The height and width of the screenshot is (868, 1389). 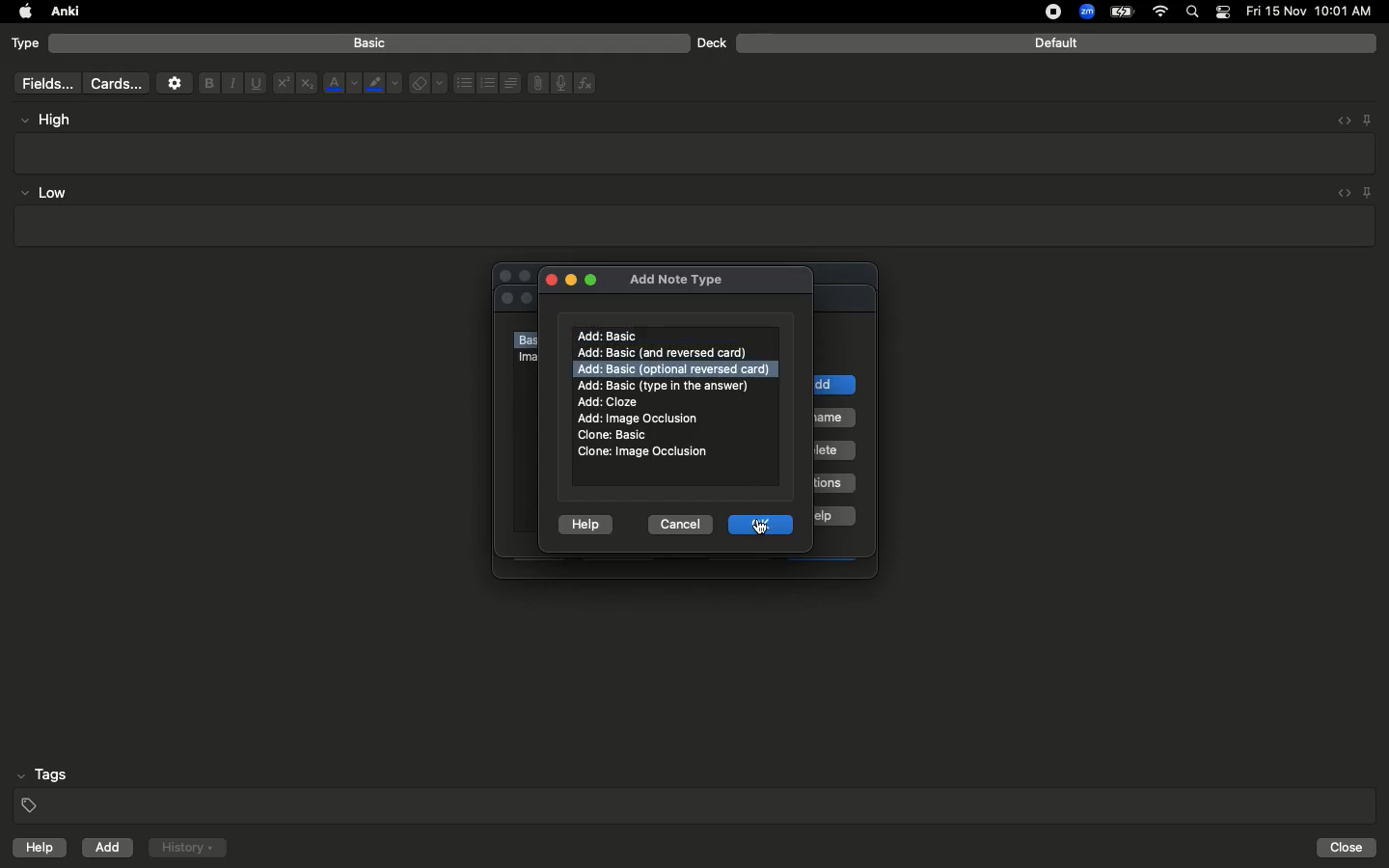 What do you see at coordinates (307, 84) in the screenshot?
I see `Subscript` at bounding box center [307, 84].